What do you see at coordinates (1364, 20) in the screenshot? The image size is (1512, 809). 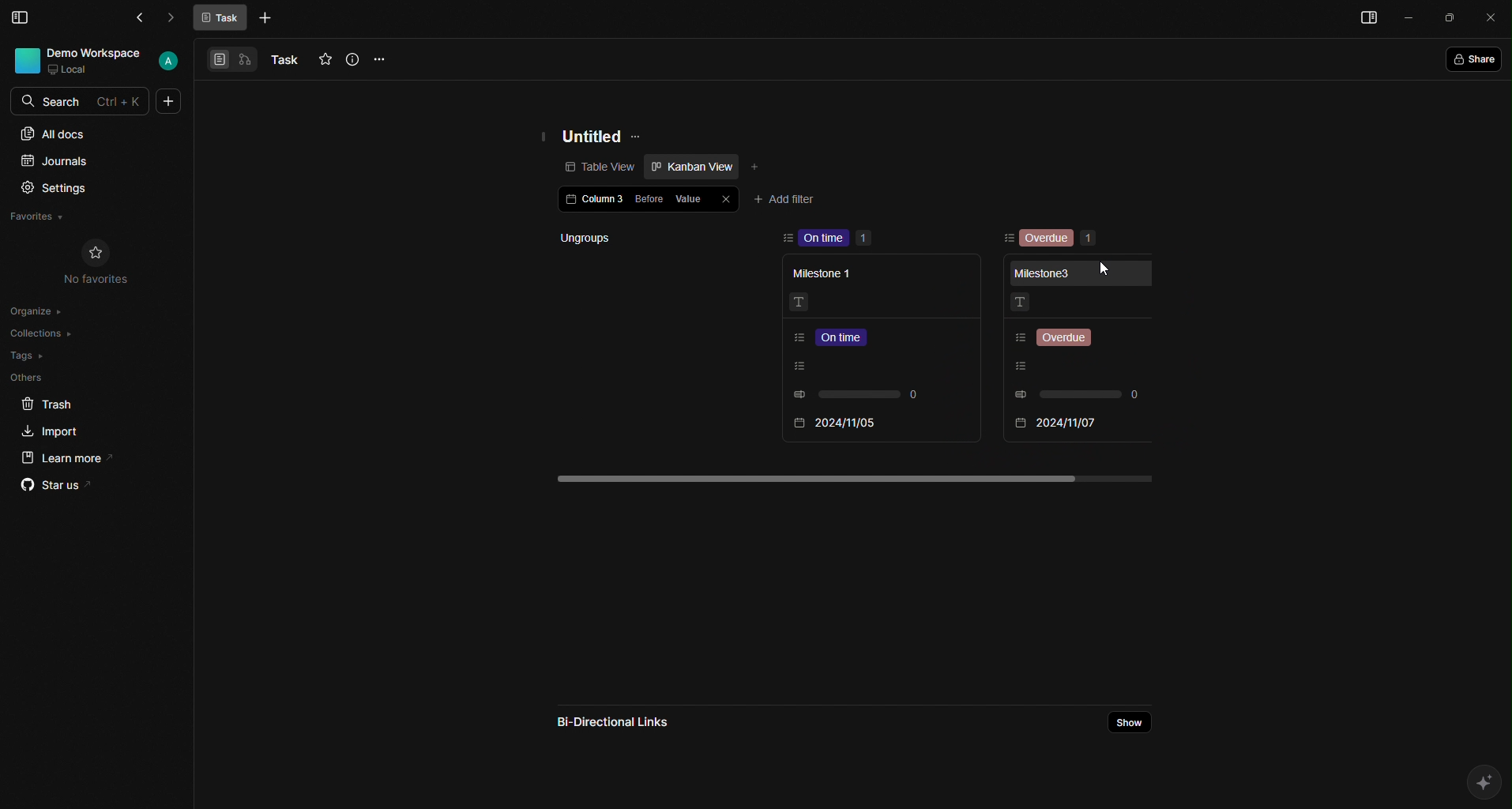 I see `Menu bar` at bounding box center [1364, 20].